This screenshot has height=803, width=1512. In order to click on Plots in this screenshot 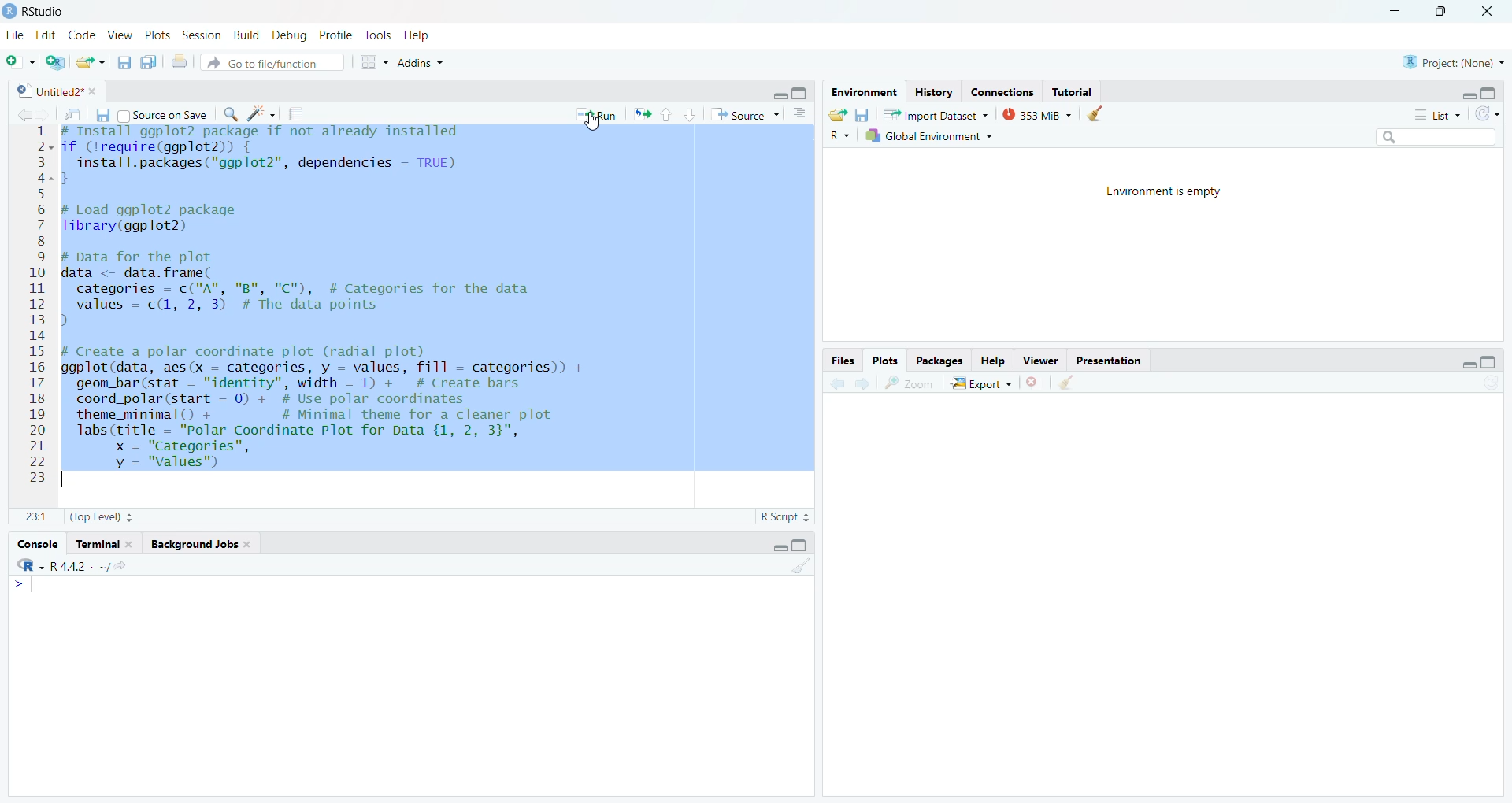, I will do `click(156, 35)`.